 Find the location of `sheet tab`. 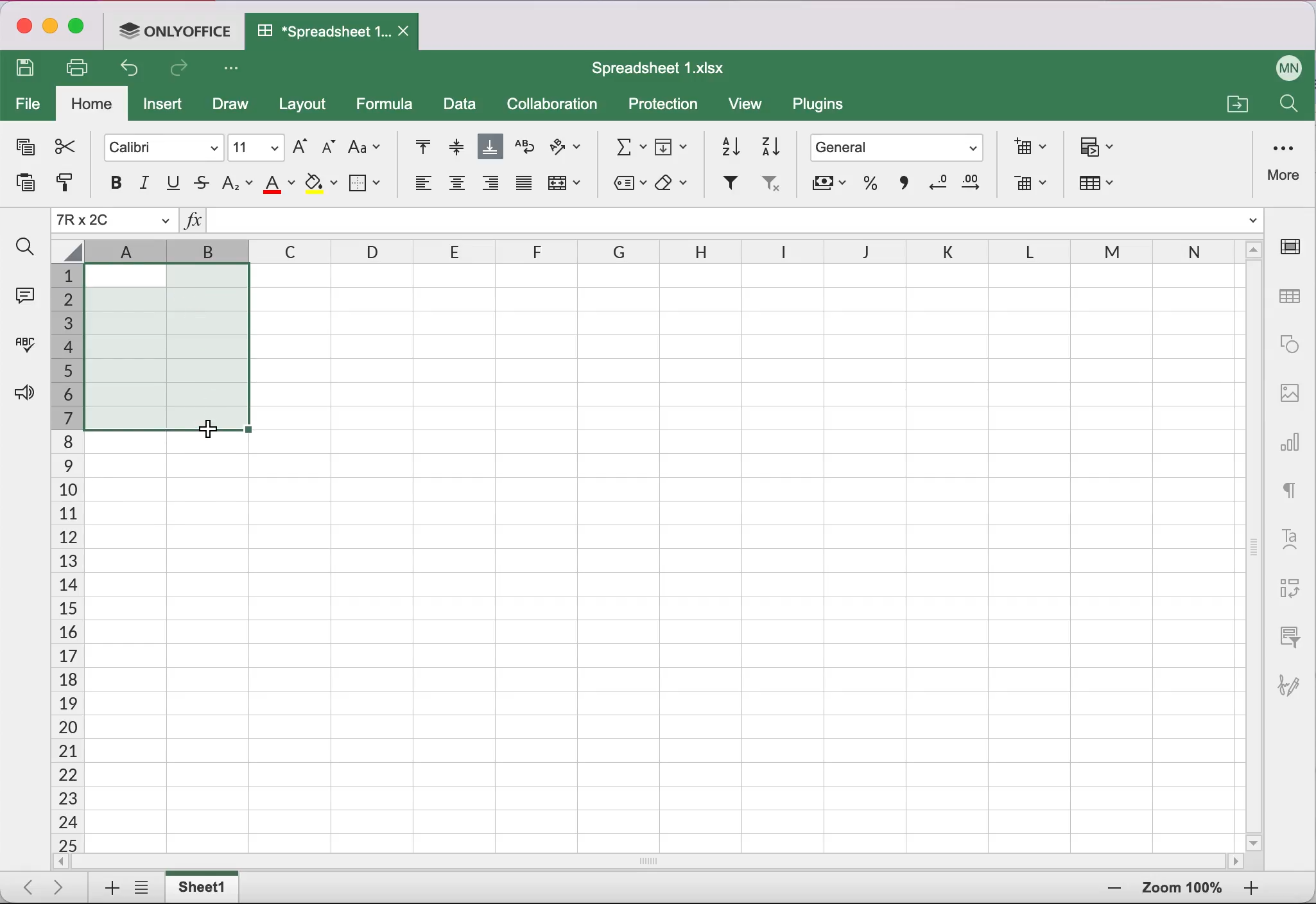

sheet tab is located at coordinates (205, 887).